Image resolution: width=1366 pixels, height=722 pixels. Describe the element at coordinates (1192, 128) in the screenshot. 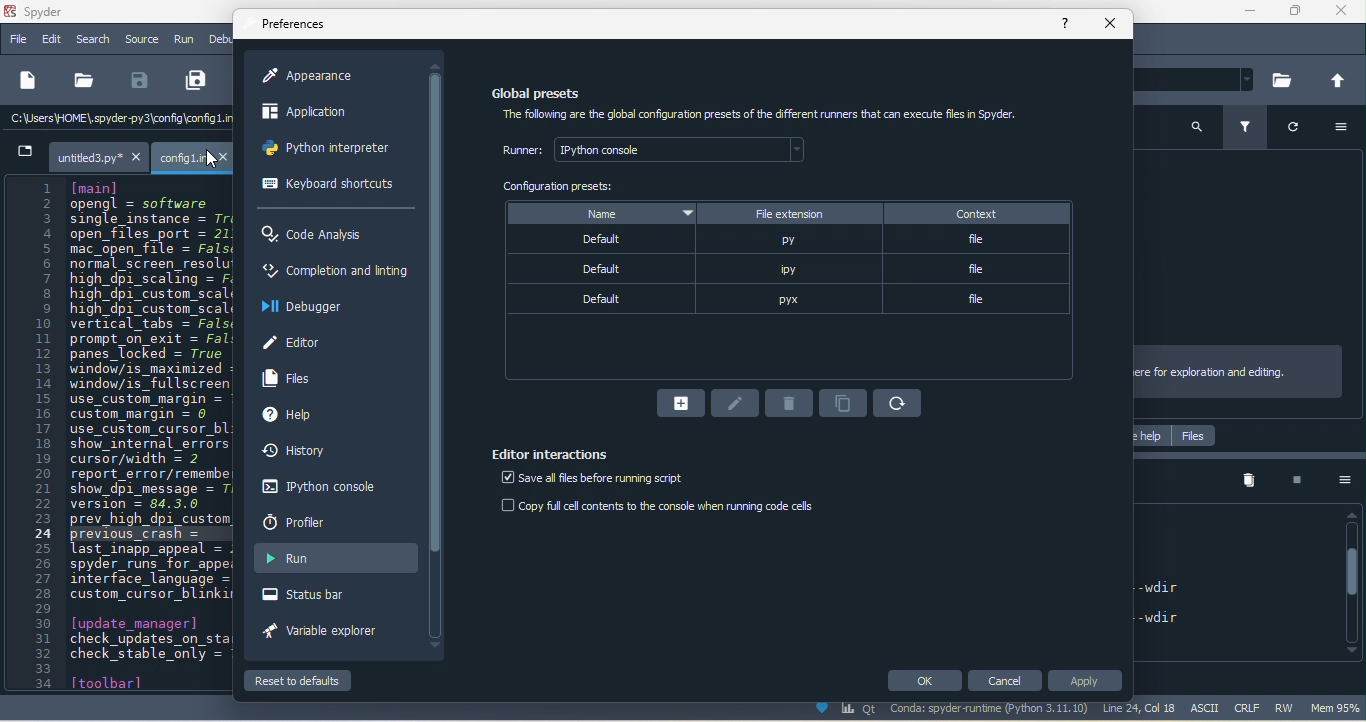

I see `search` at that location.